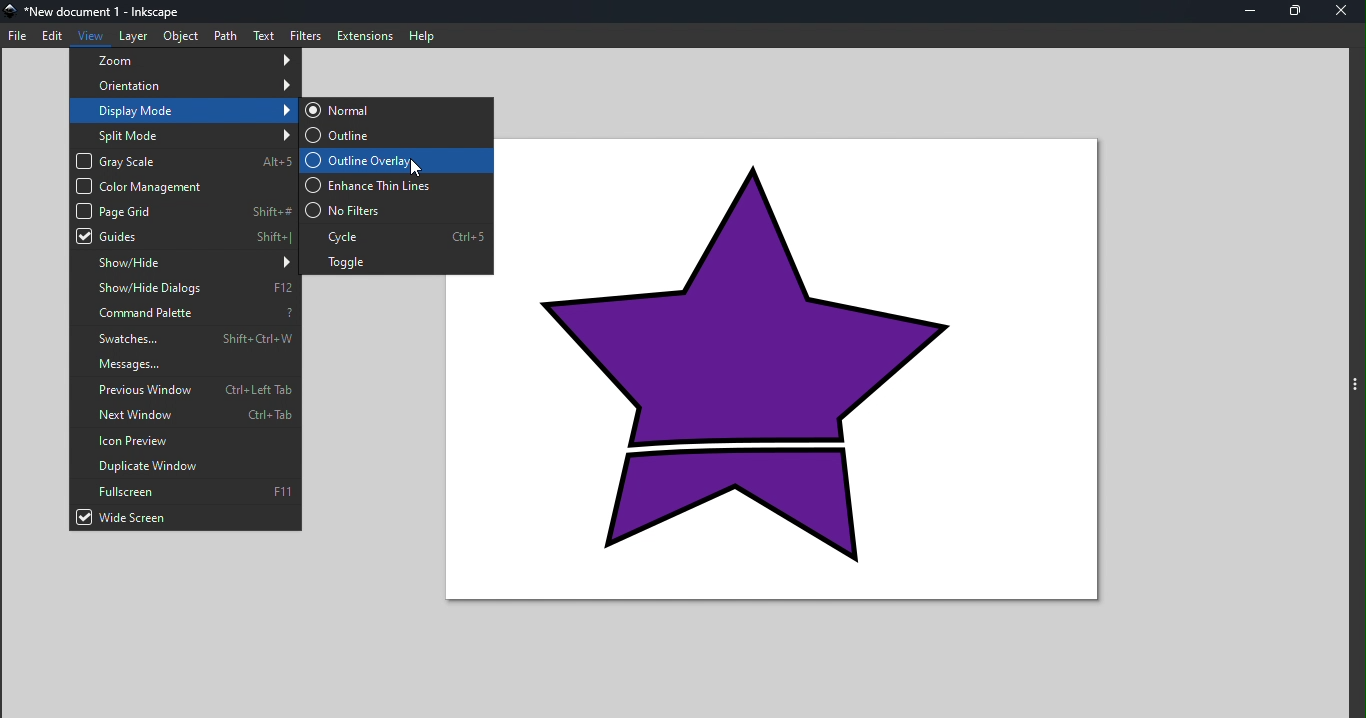 The image size is (1366, 718). What do you see at coordinates (132, 36) in the screenshot?
I see `Layer` at bounding box center [132, 36].